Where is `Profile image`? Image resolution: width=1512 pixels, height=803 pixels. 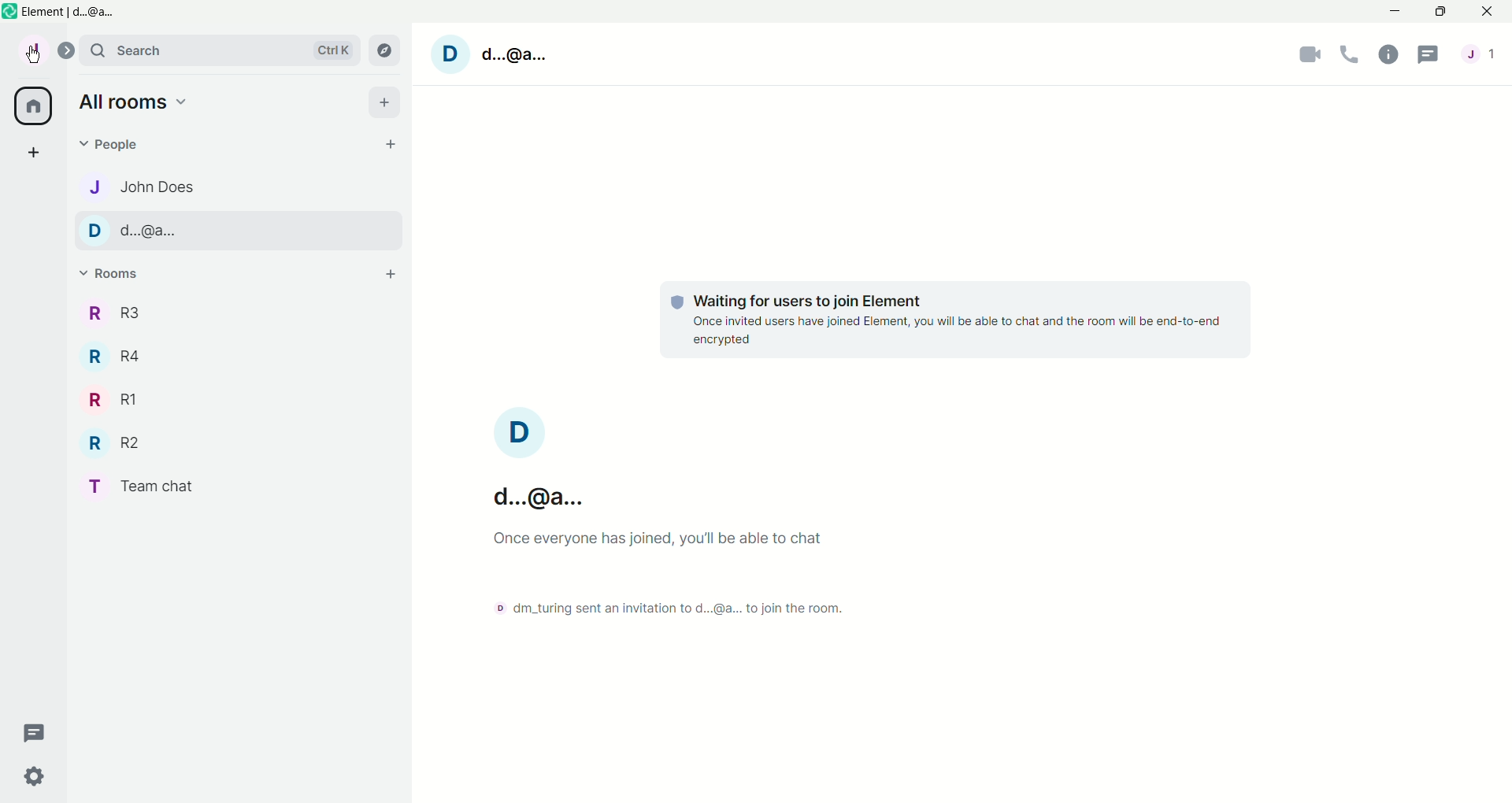 Profile image is located at coordinates (520, 432).